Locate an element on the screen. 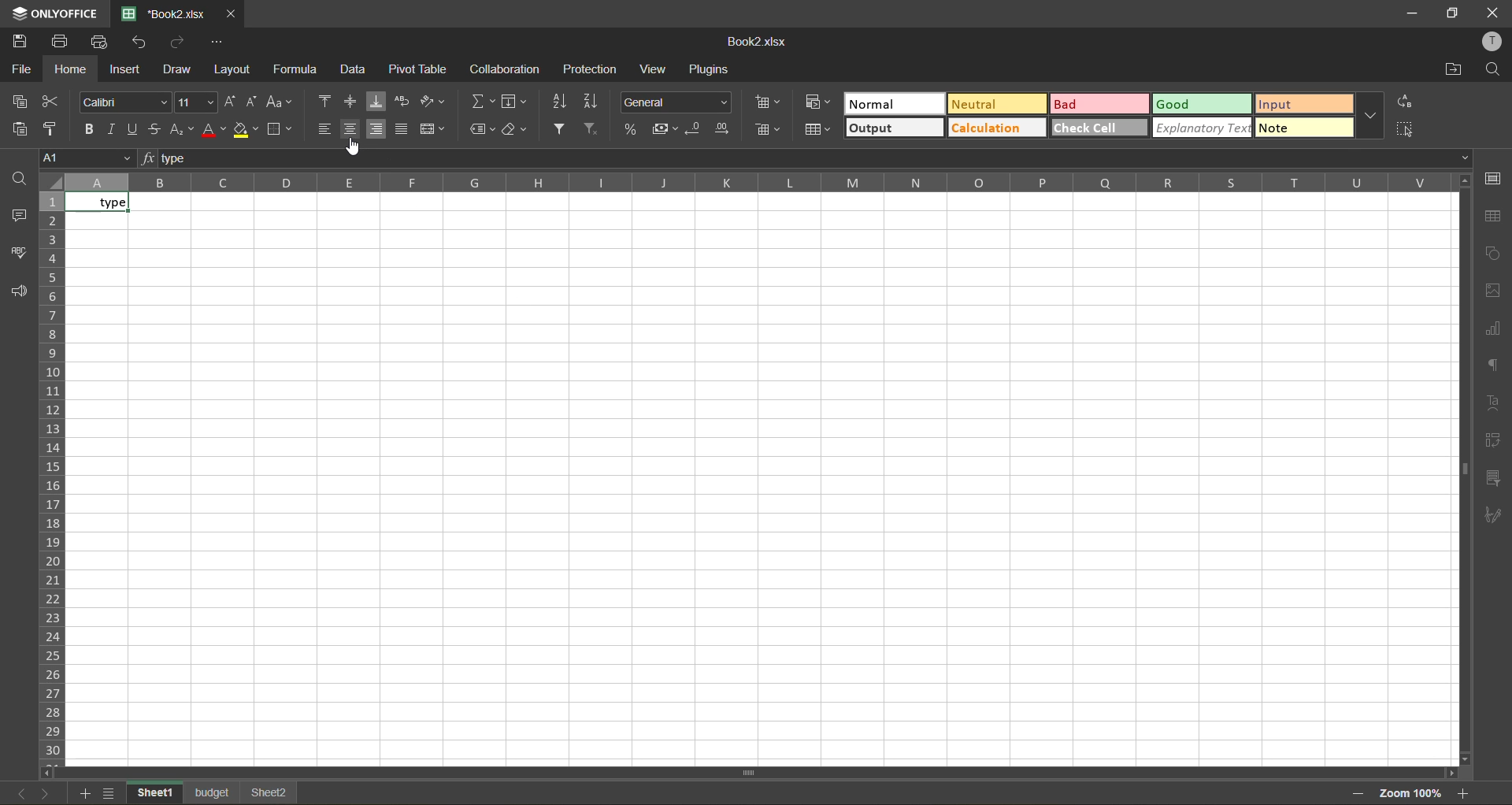  pivot table is located at coordinates (420, 71).